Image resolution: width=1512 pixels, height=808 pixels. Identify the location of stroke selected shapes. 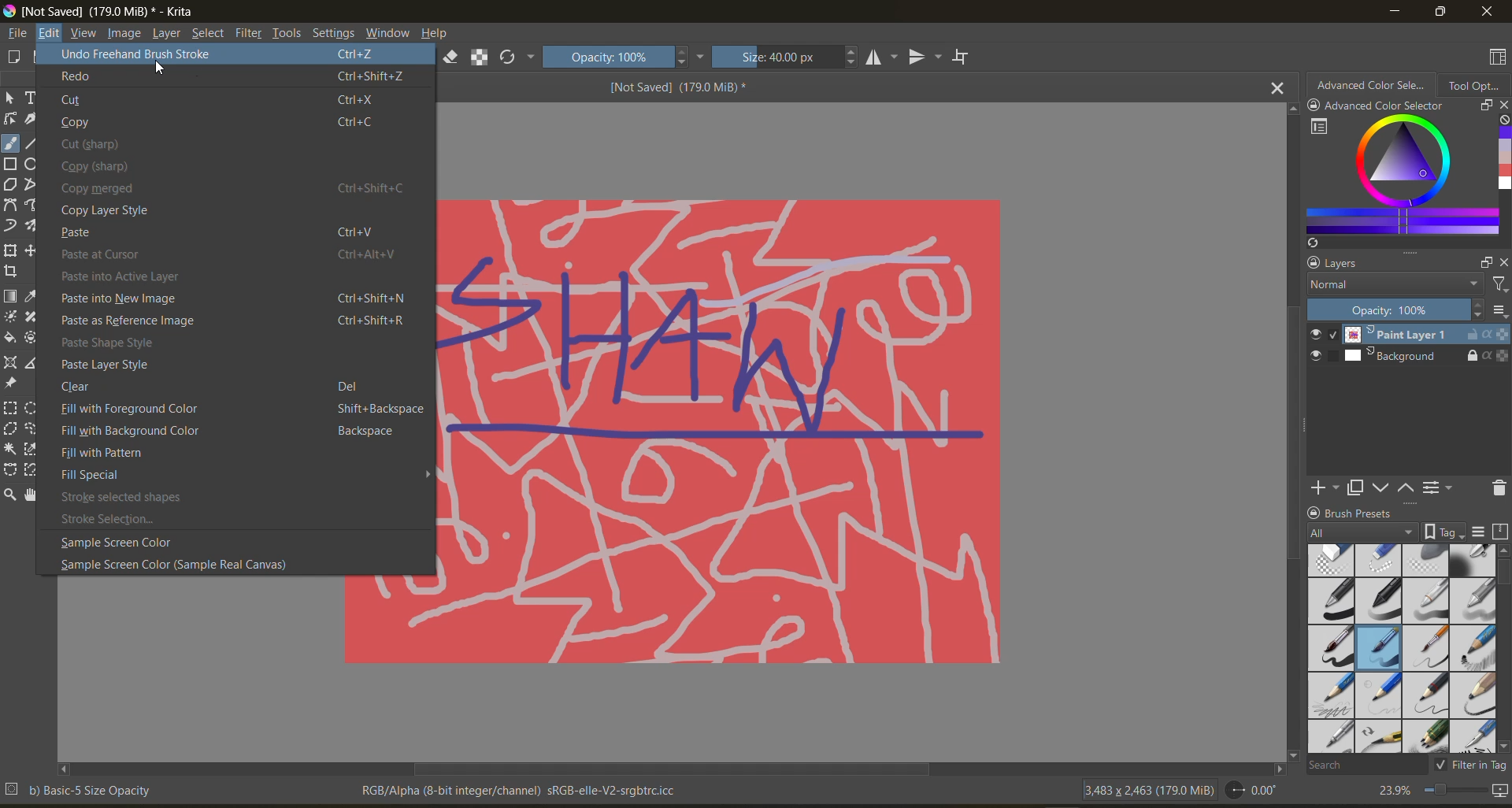
(132, 495).